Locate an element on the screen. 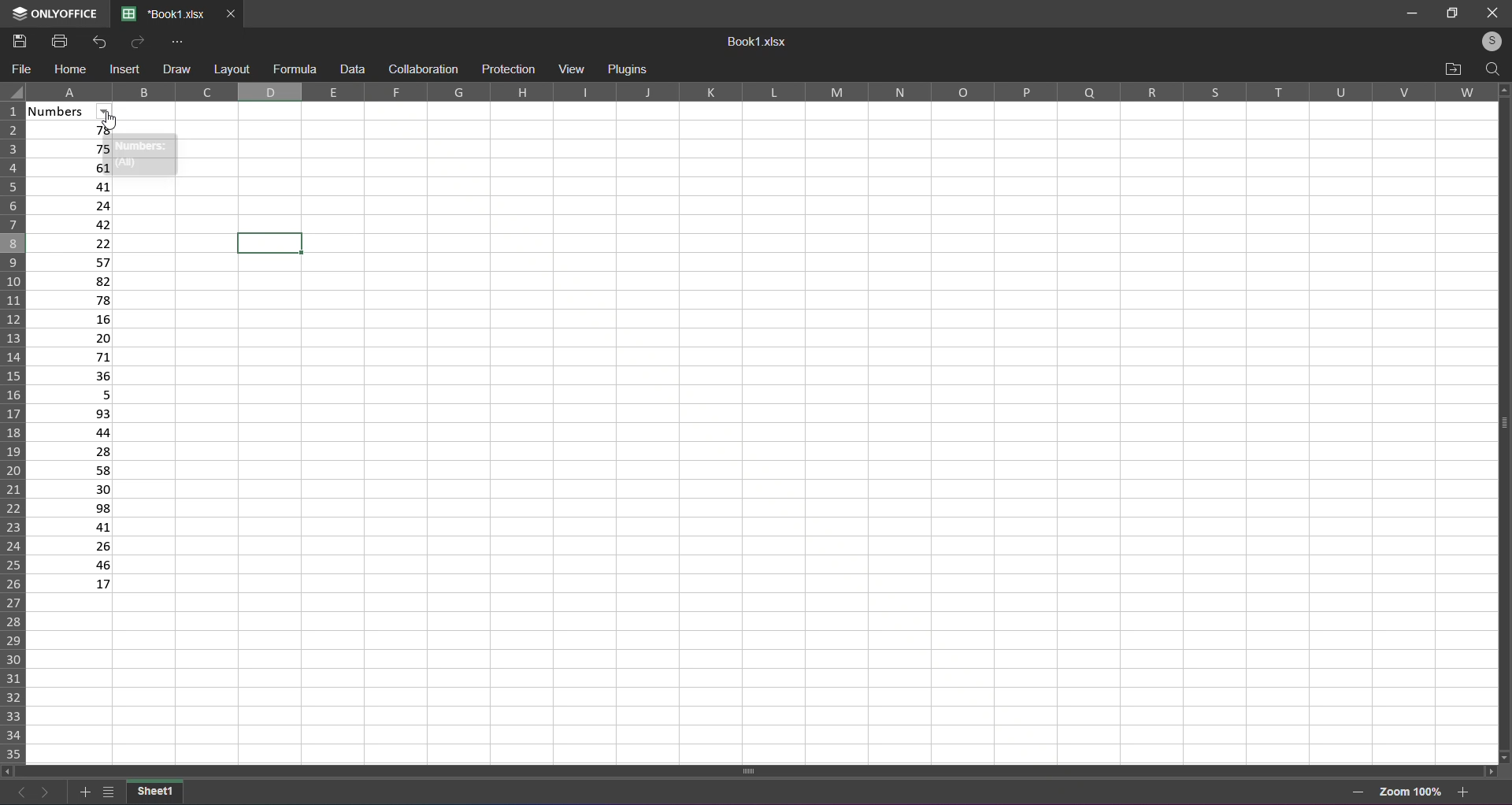 The image size is (1512, 805). undo is located at coordinates (102, 42).